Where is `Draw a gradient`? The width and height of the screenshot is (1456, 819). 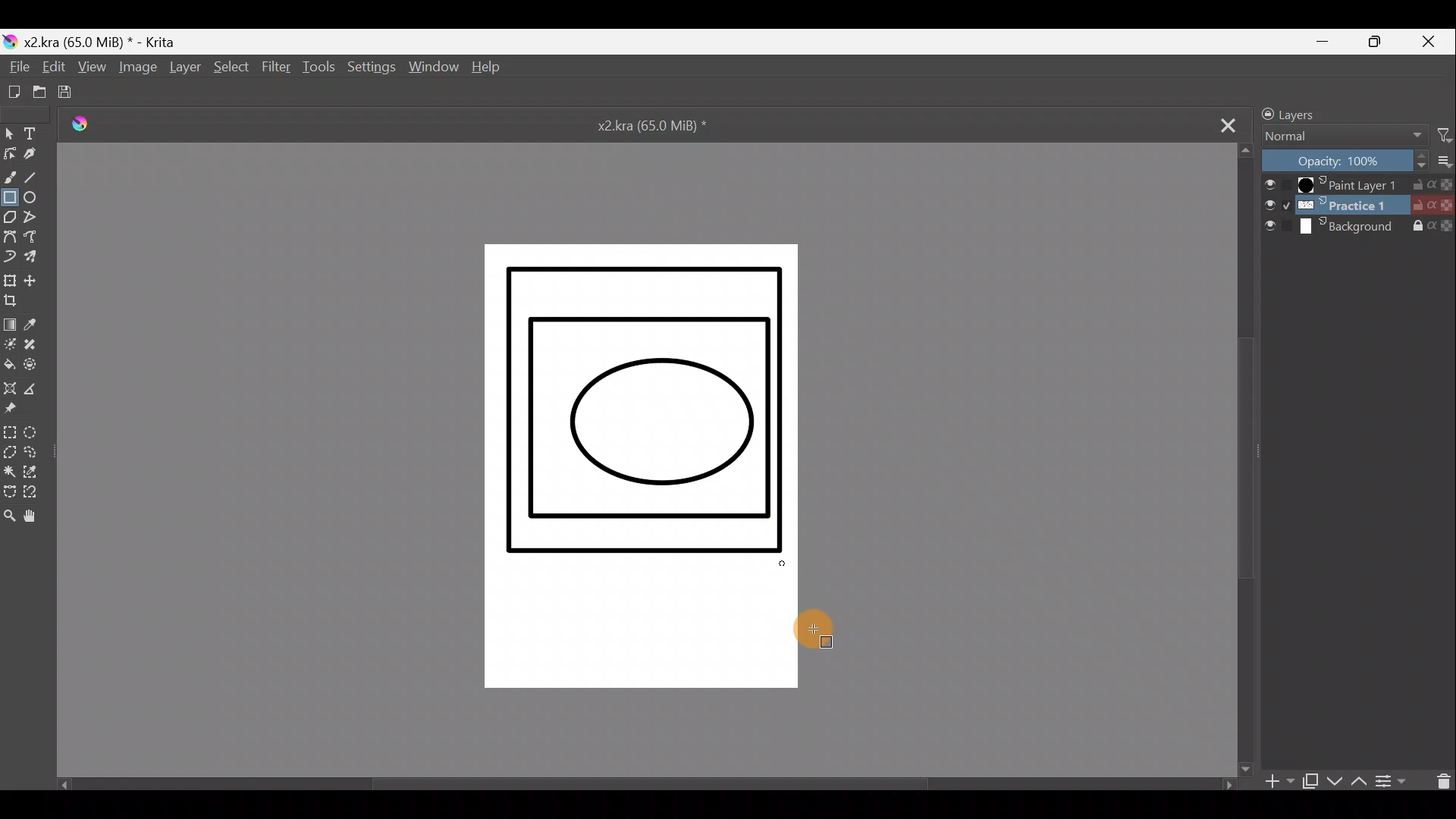 Draw a gradient is located at coordinates (10, 322).